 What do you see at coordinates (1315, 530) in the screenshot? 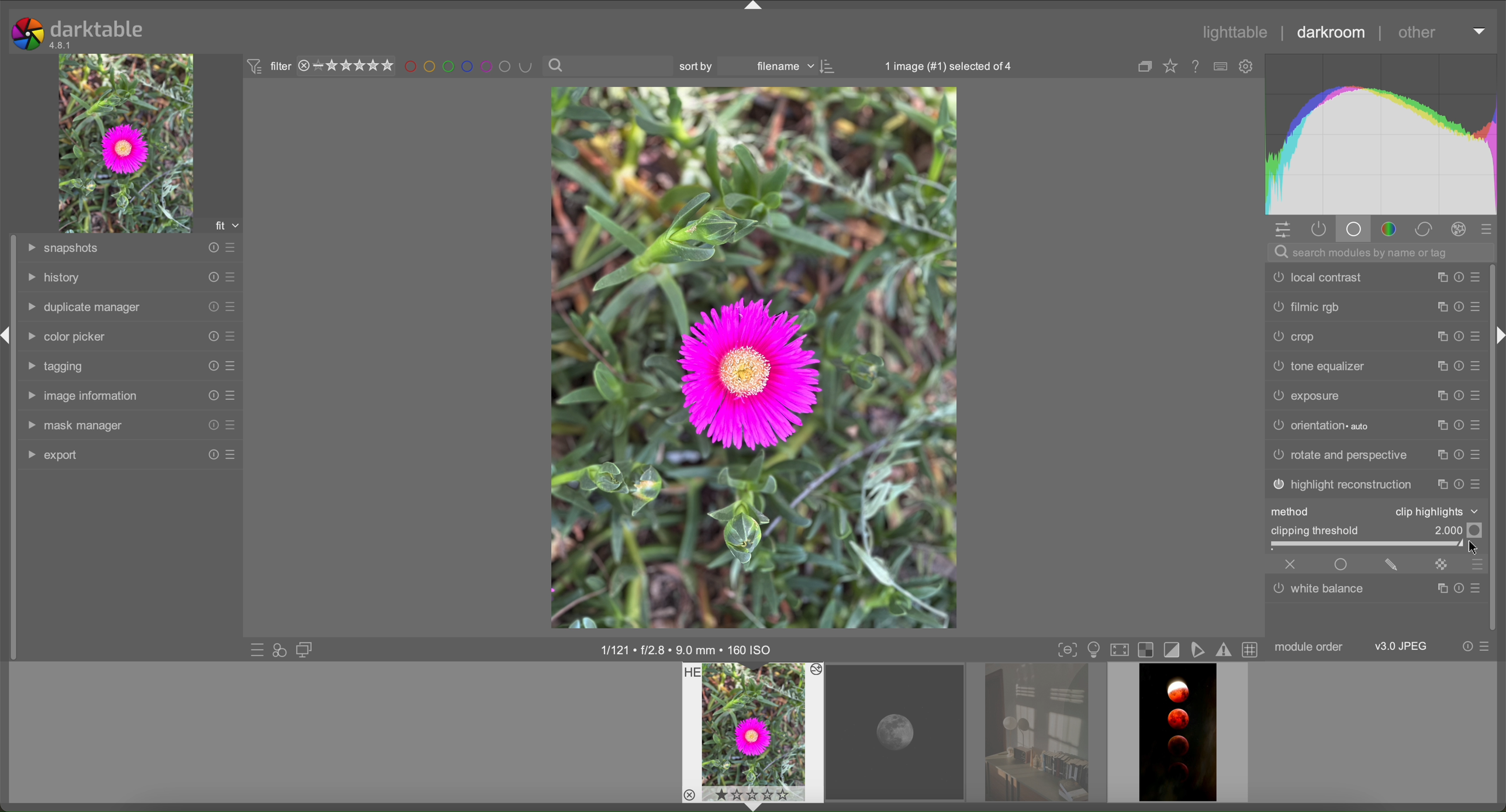
I see `clipping threshold` at bounding box center [1315, 530].